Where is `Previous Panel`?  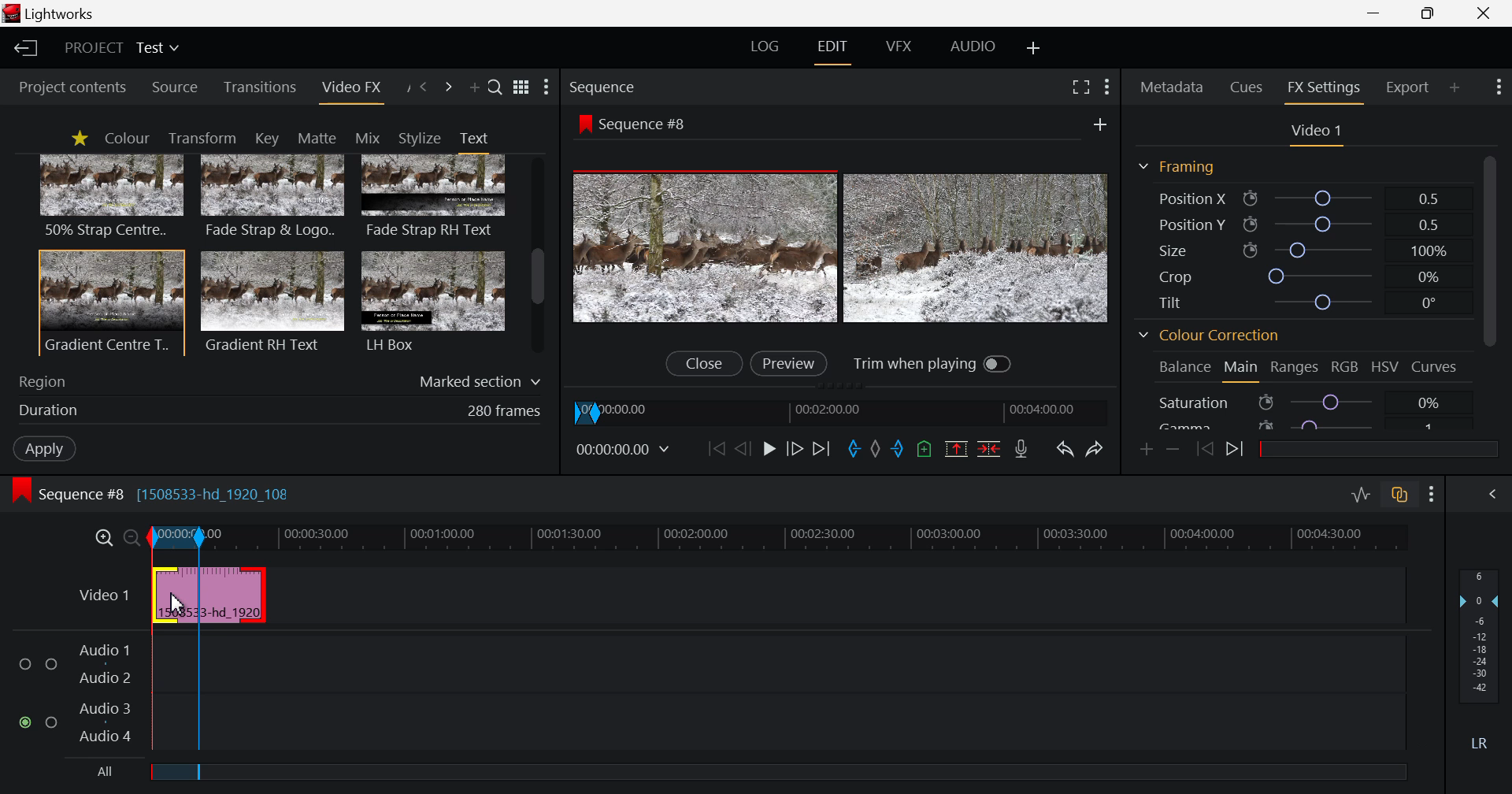
Previous Panel is located at coordinates (424, 86).